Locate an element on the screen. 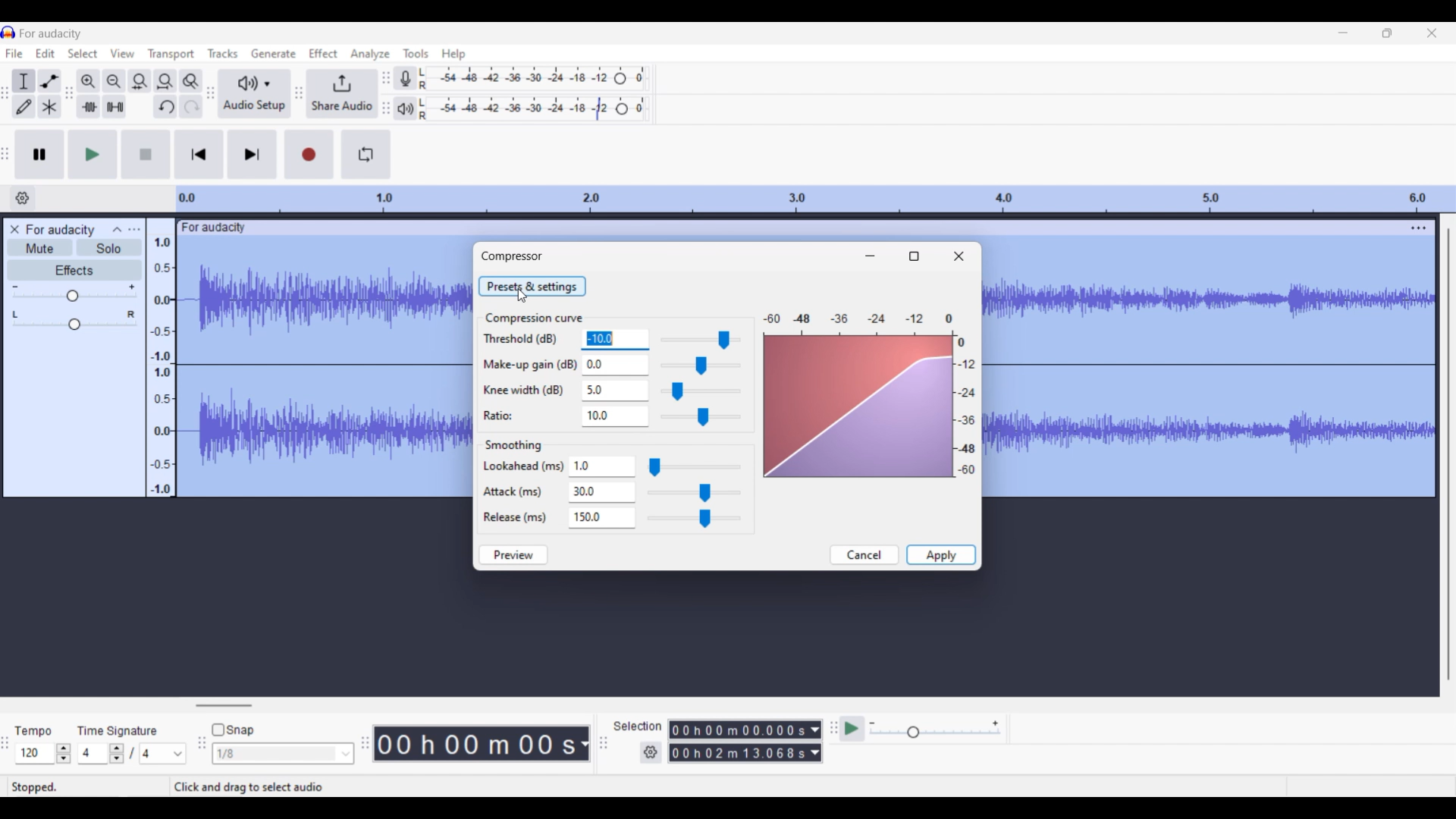  Current output  is located at coordinates (870, 395).